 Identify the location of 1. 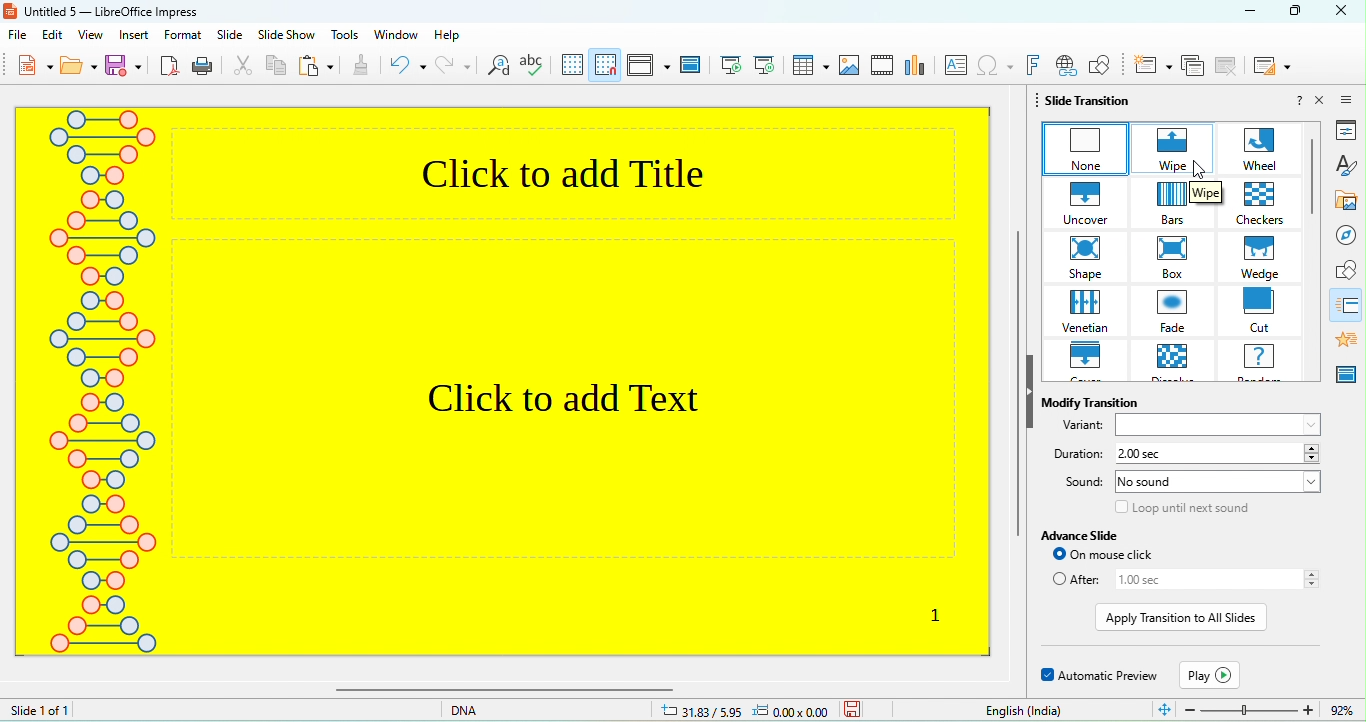
(933, 615).